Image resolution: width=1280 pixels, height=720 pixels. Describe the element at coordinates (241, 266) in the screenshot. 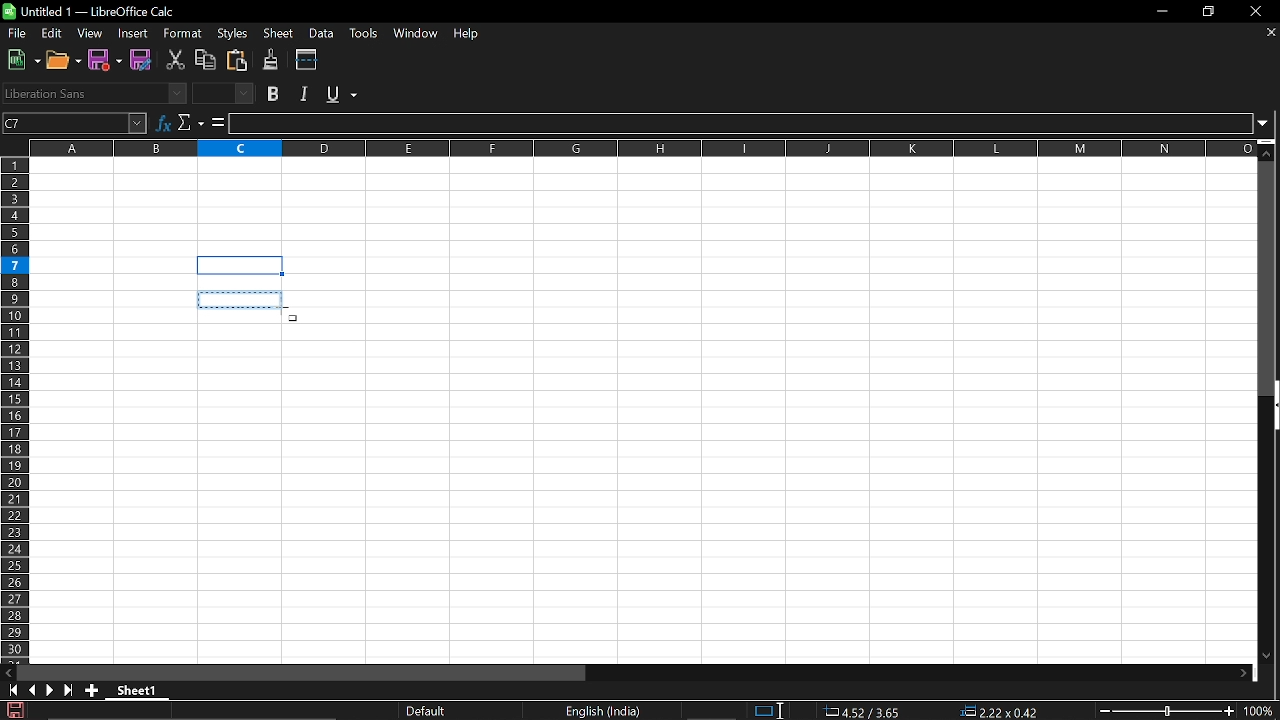

I see `selected cell` at that location.